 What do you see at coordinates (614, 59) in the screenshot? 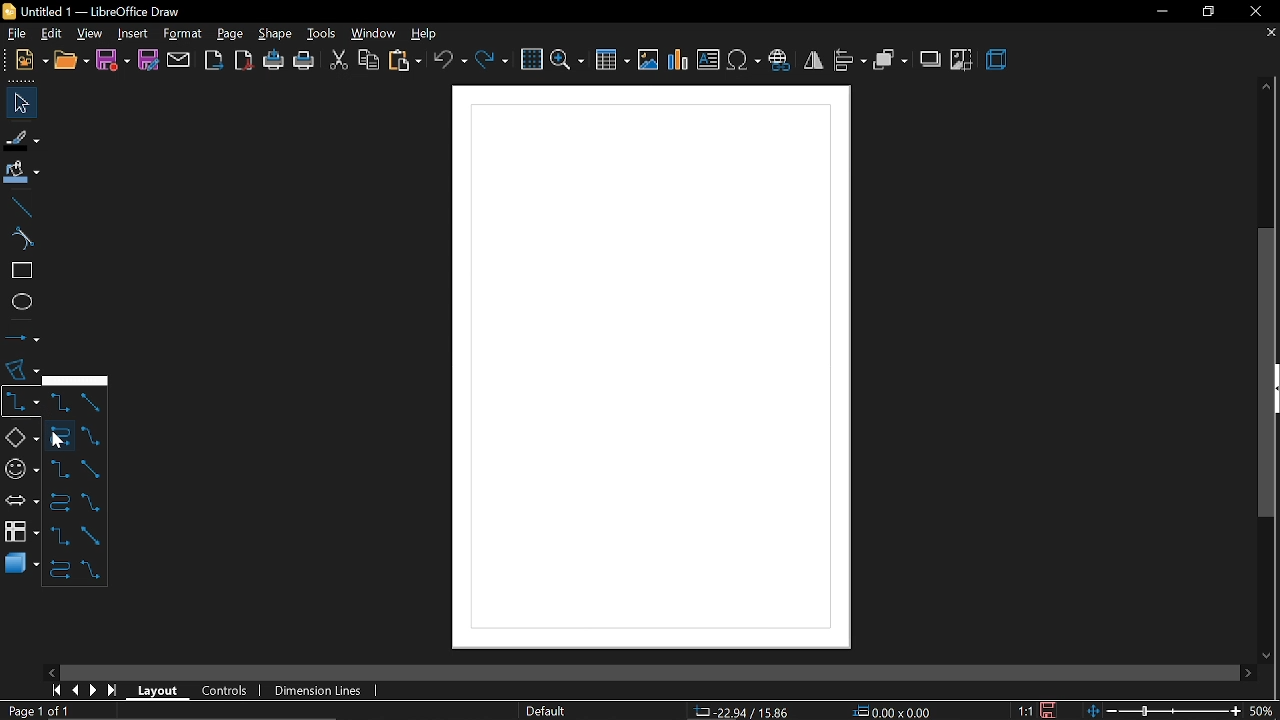
I see `Insert table` at bounding box center [614, 59].